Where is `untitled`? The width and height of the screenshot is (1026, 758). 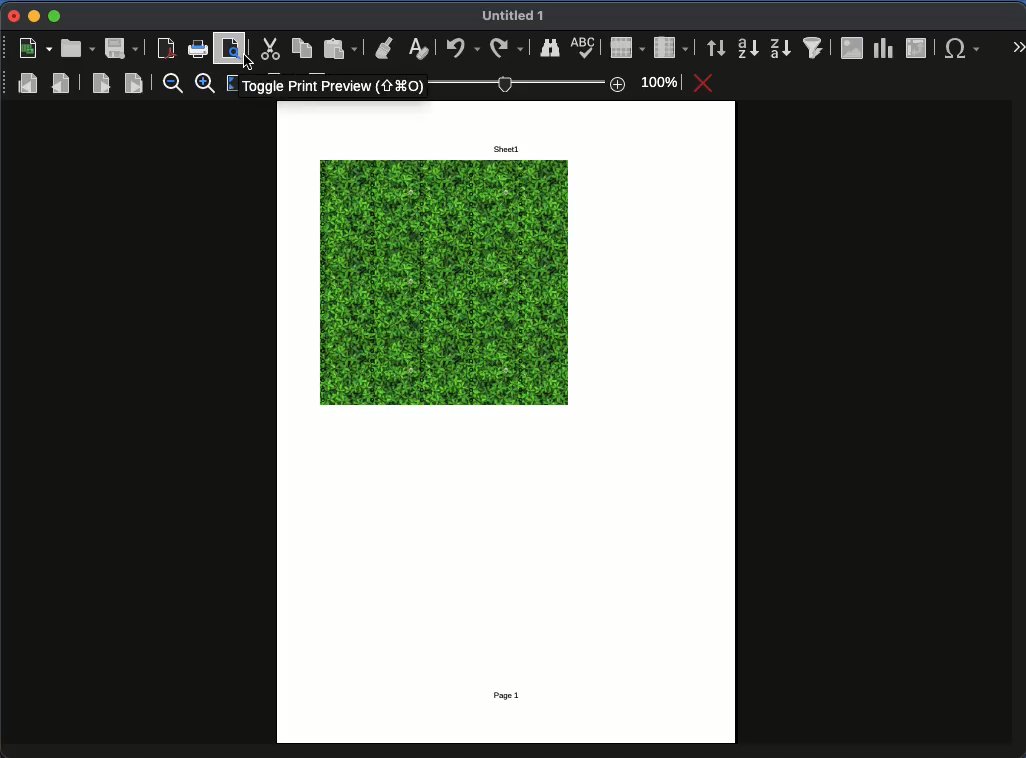
untitled is located at coordinates (517, 17).